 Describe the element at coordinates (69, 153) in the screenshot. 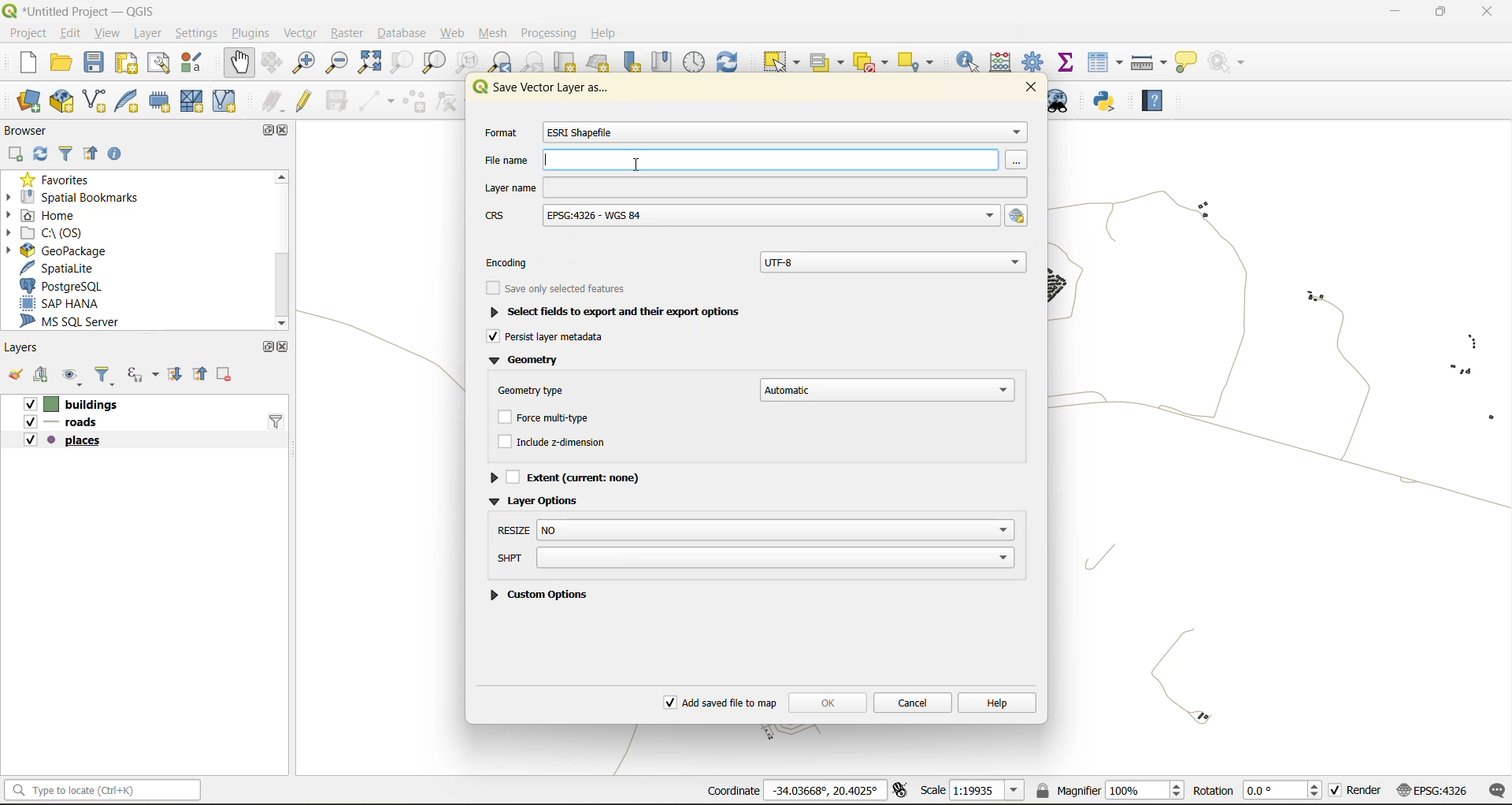

I see `filter` at that location.